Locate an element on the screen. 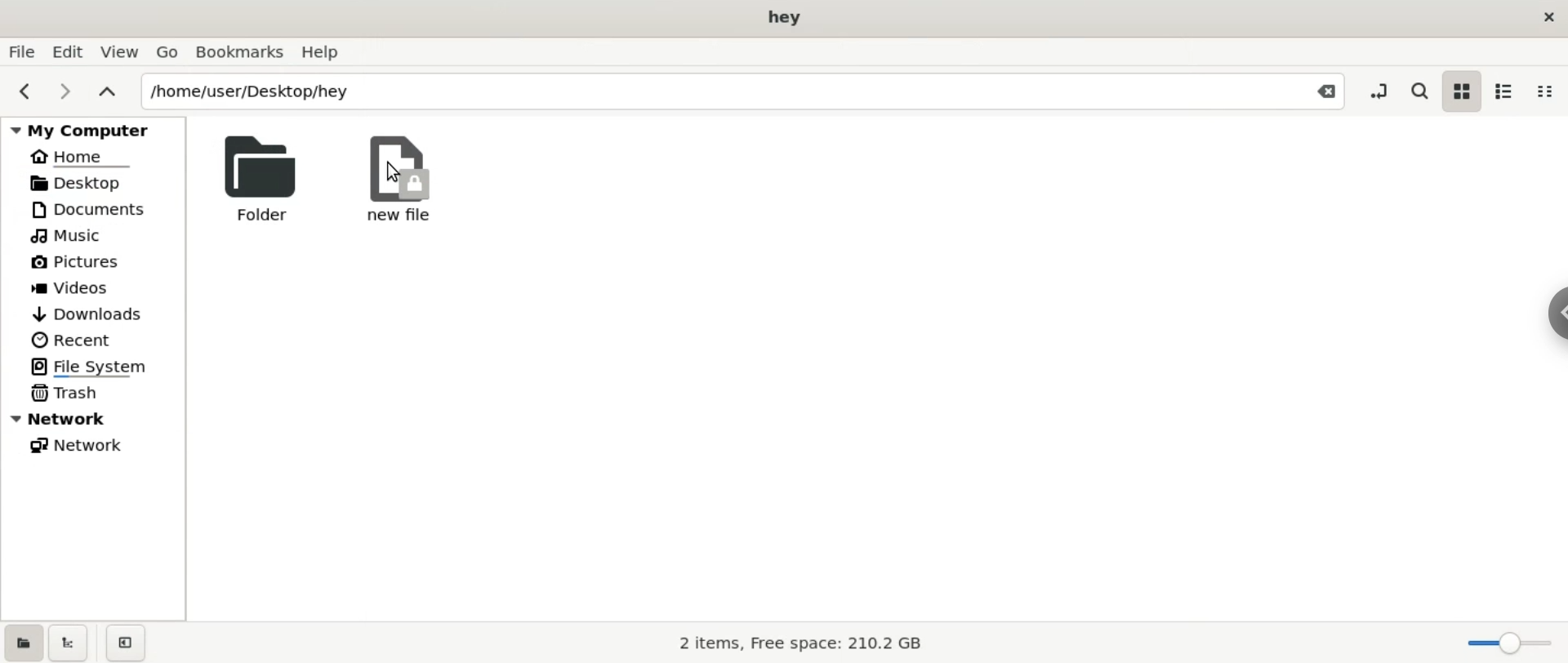 Image resolution: width=1568 pixels, height=663 pixels. search is located at coordinates (1419, 89).